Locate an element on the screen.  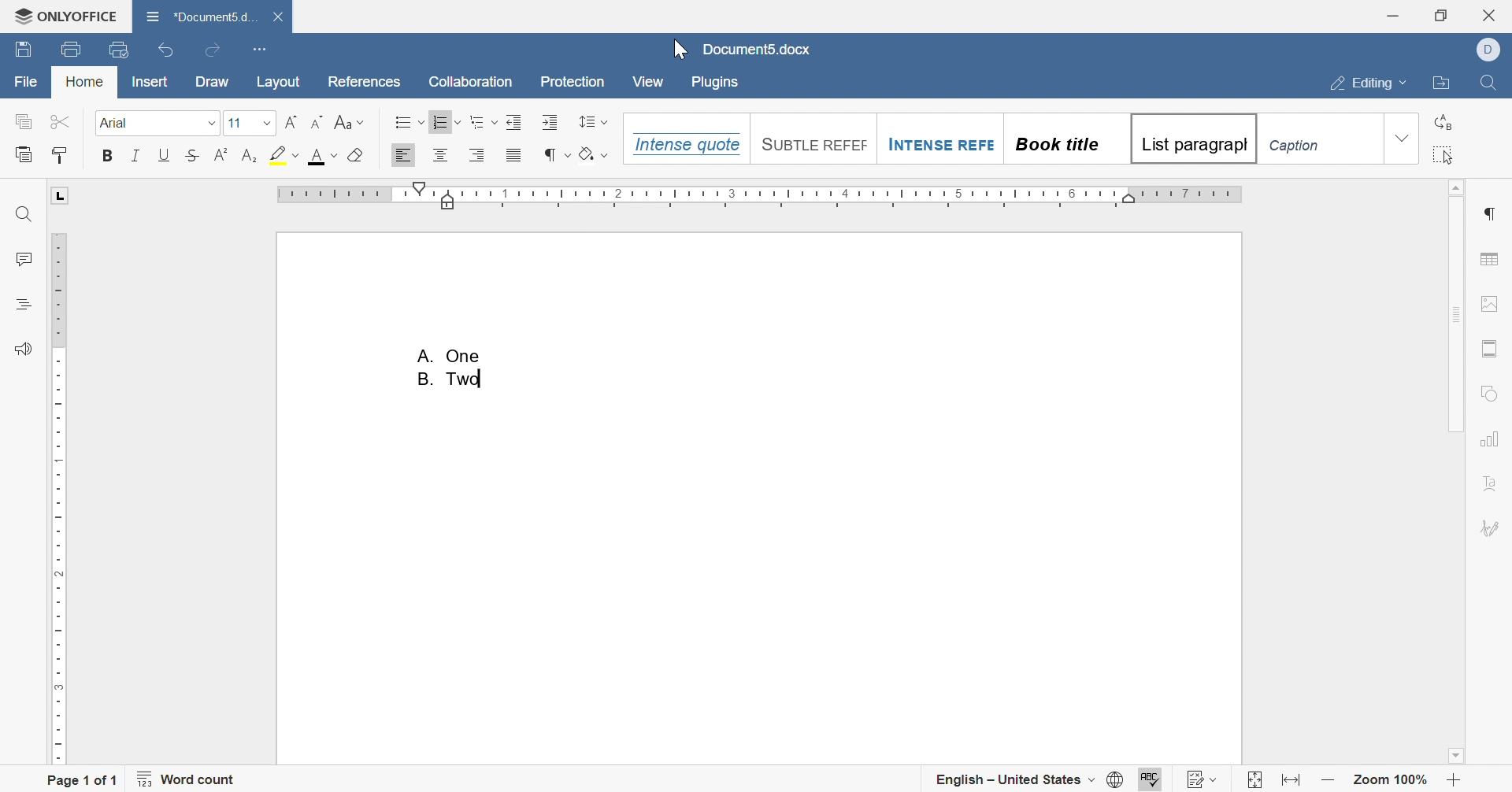
drop down is located at coordinates (267, 121).